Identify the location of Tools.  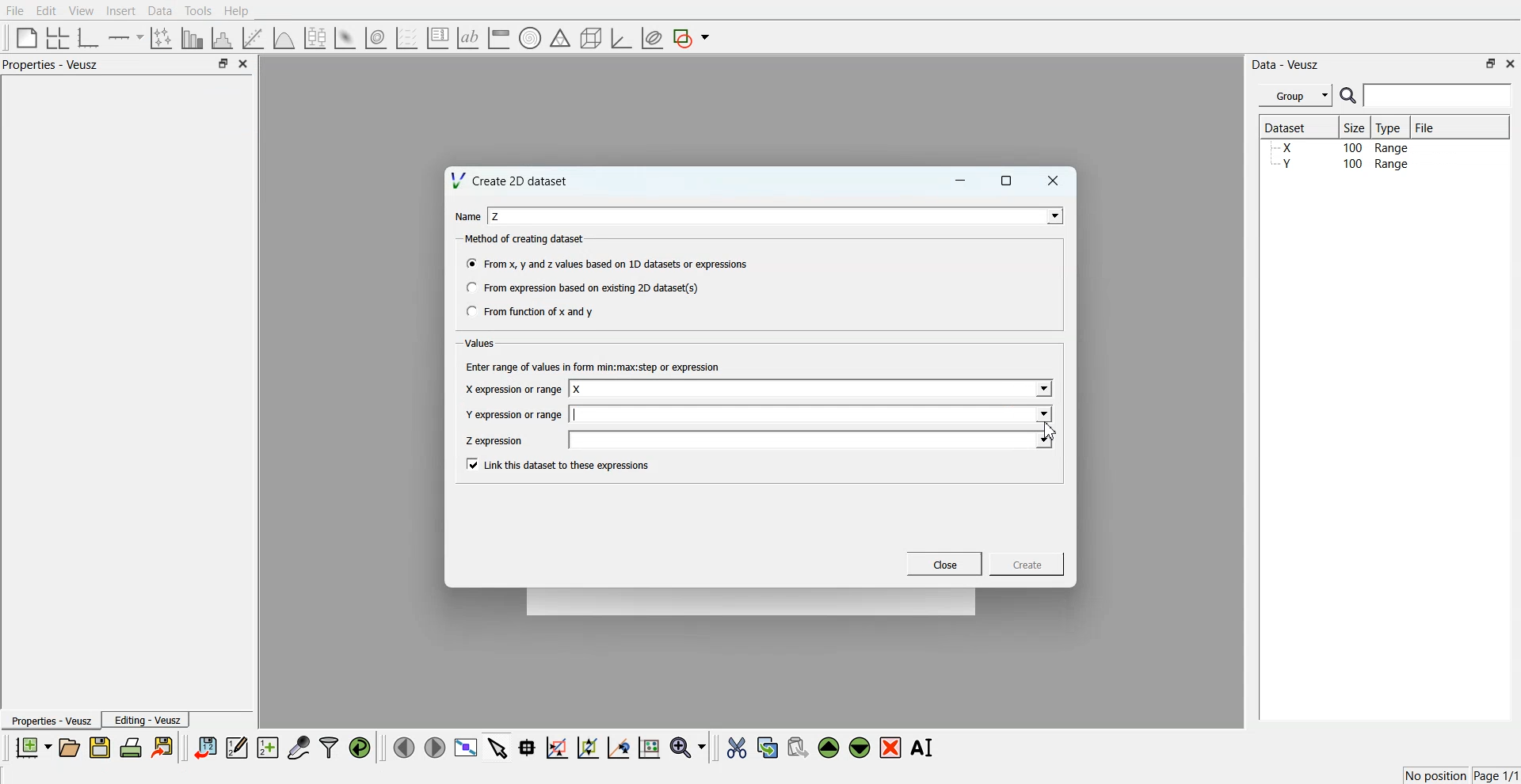
(199, 11).